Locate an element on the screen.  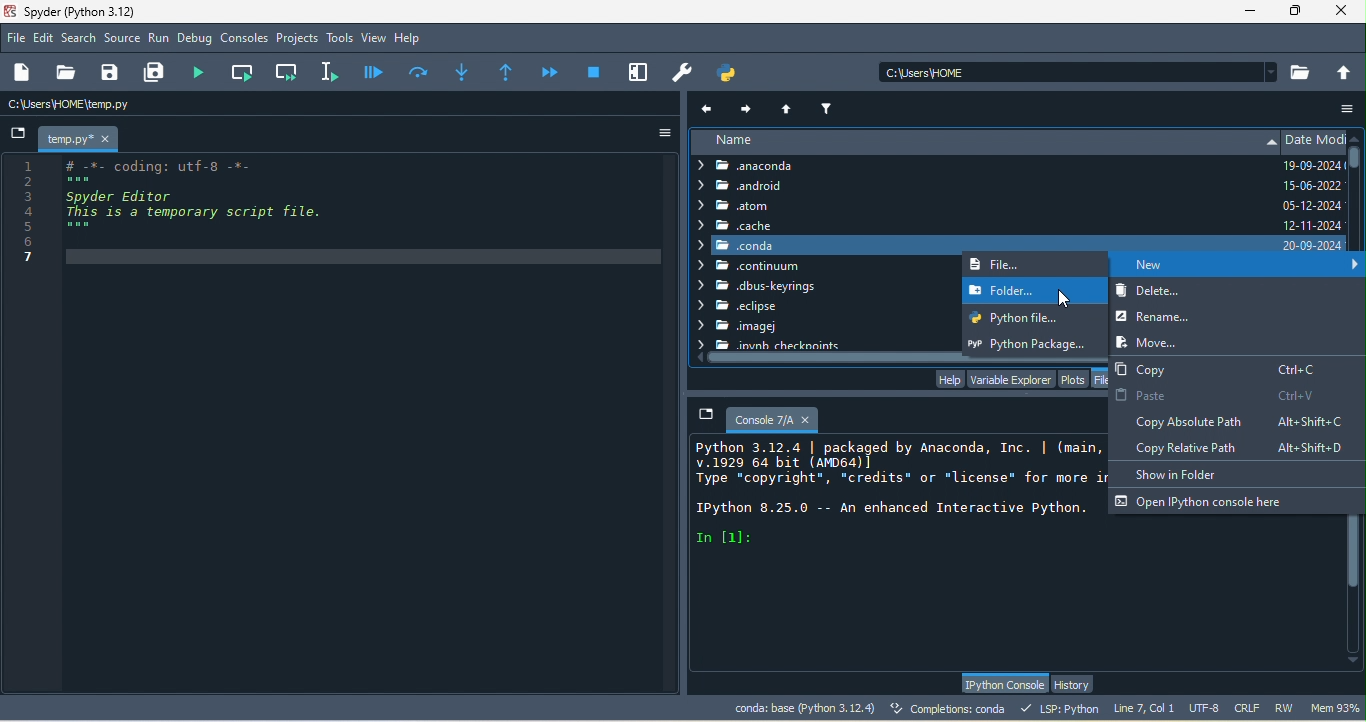
vertical scroll bar is located at coordinates (1357, 173).